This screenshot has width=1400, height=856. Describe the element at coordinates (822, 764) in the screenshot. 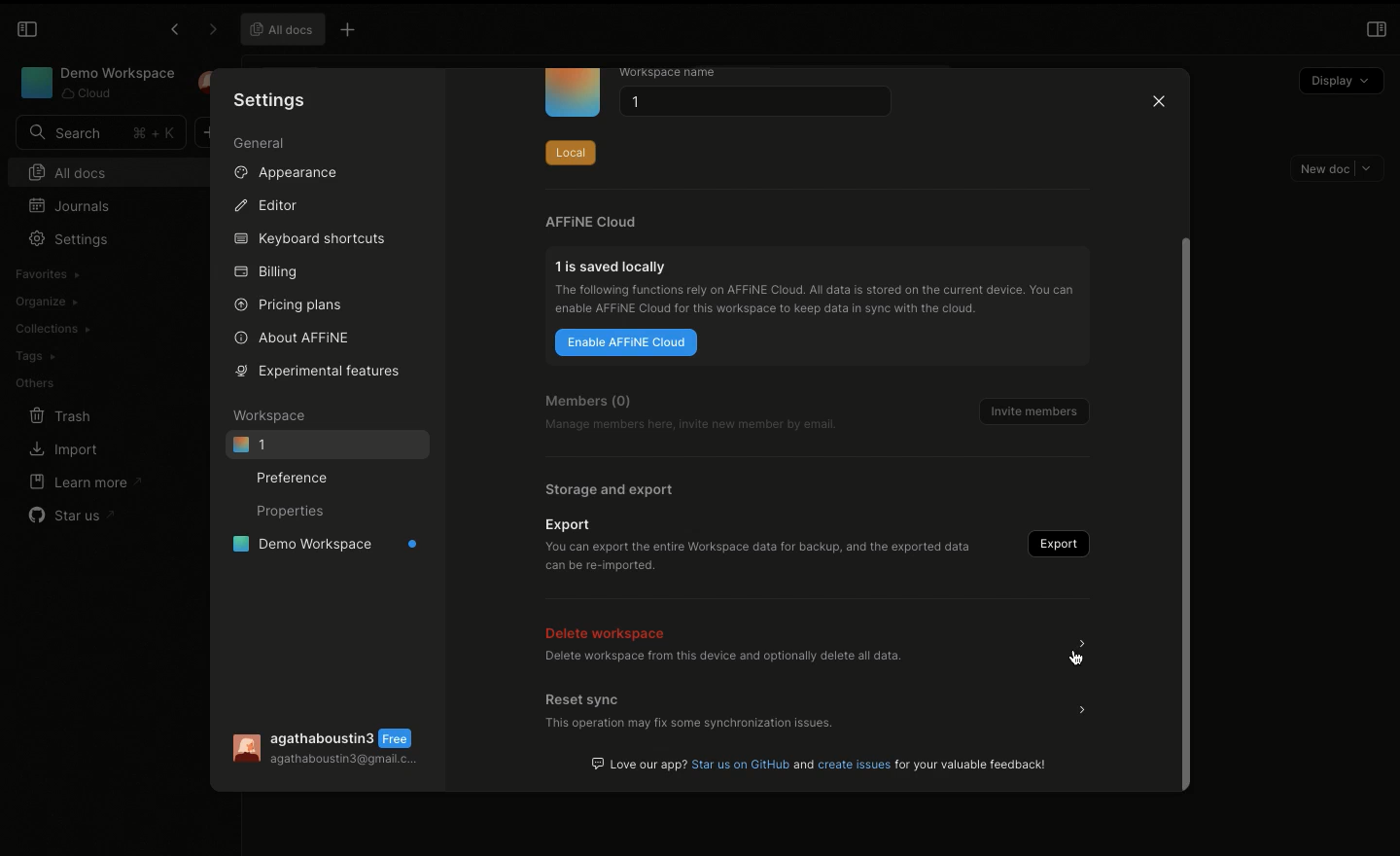

I see `Love our app? Share feedback.` at that location.